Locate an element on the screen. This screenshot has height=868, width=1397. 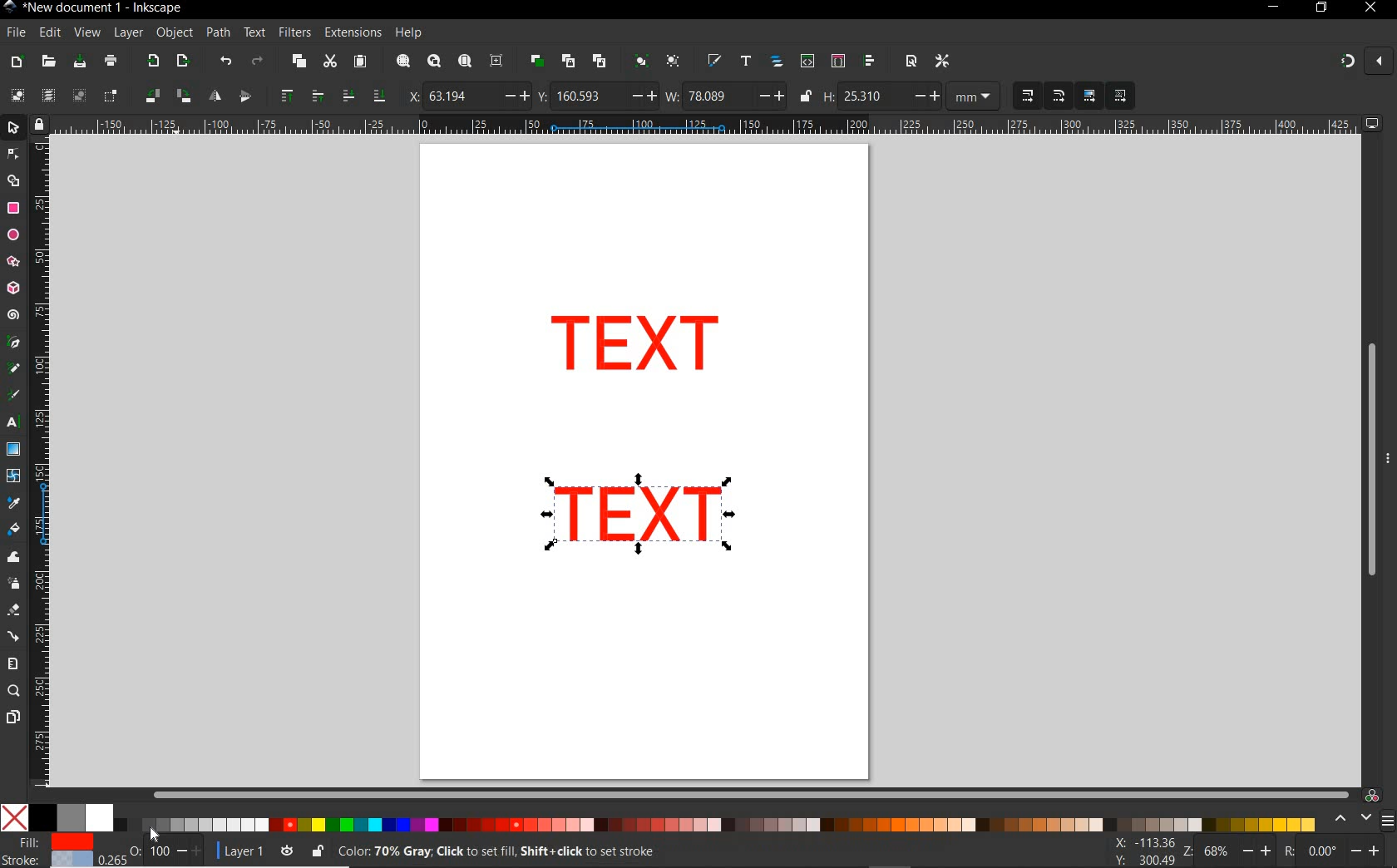
file is located at coordinates (14, 32).